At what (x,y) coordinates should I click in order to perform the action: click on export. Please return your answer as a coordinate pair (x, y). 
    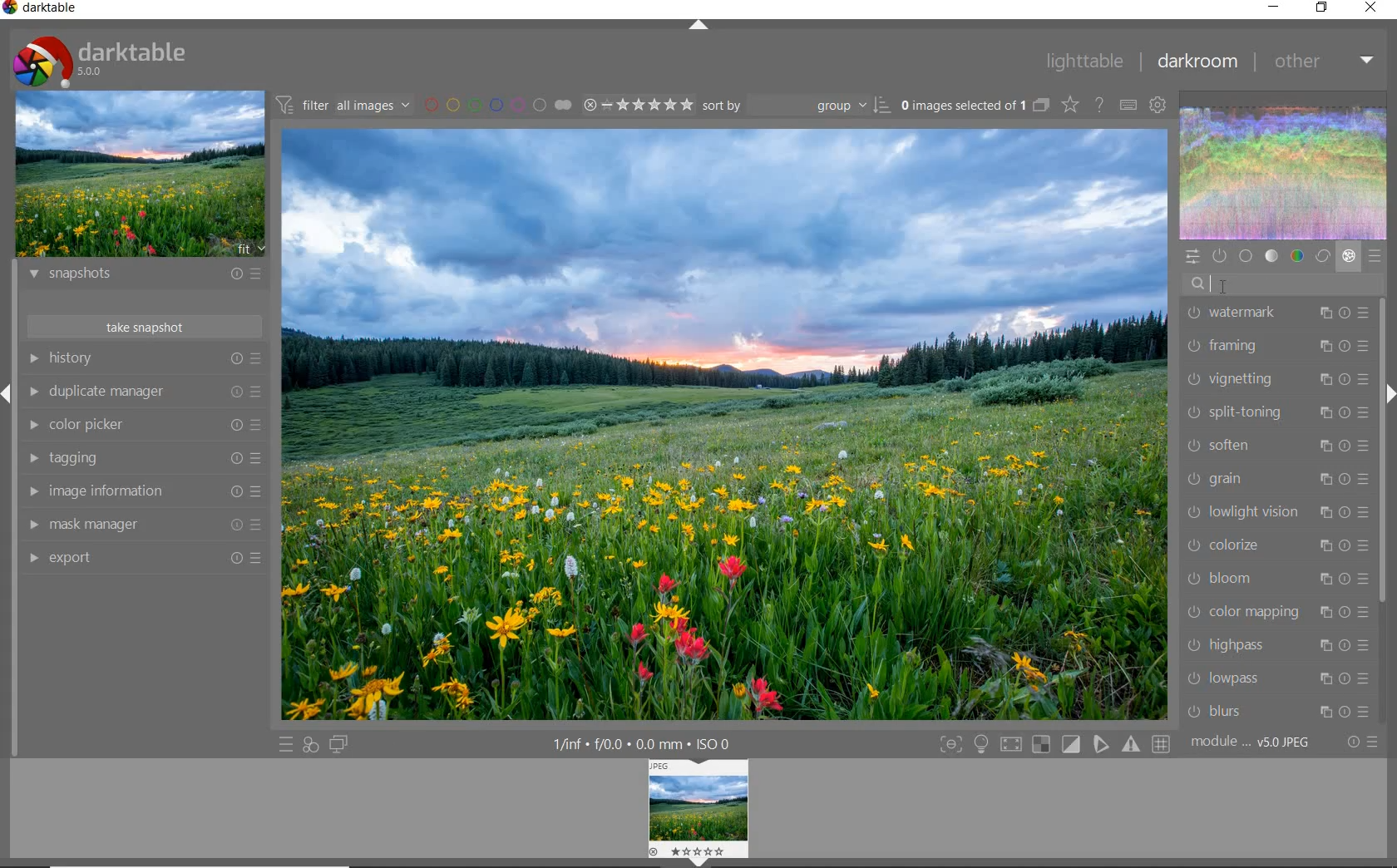
    Looking at the image, I should click on (146, 559).